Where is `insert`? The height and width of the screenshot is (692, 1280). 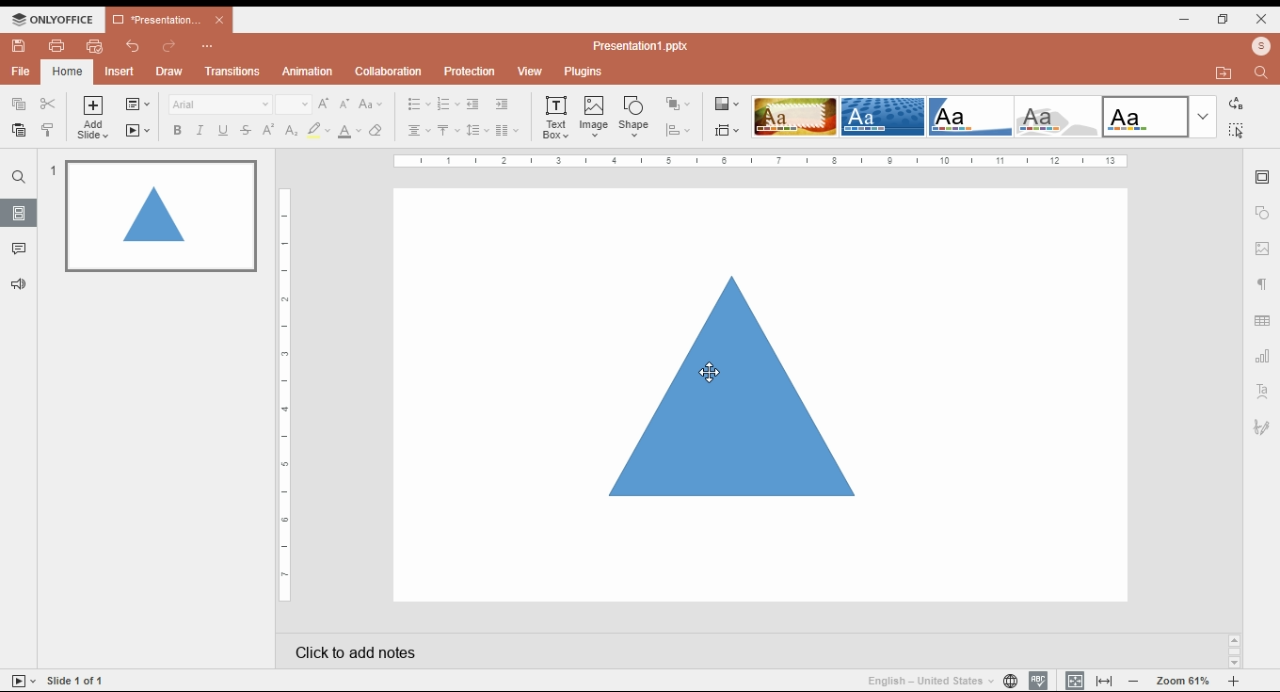
insert is located at coordinates (121, 70).